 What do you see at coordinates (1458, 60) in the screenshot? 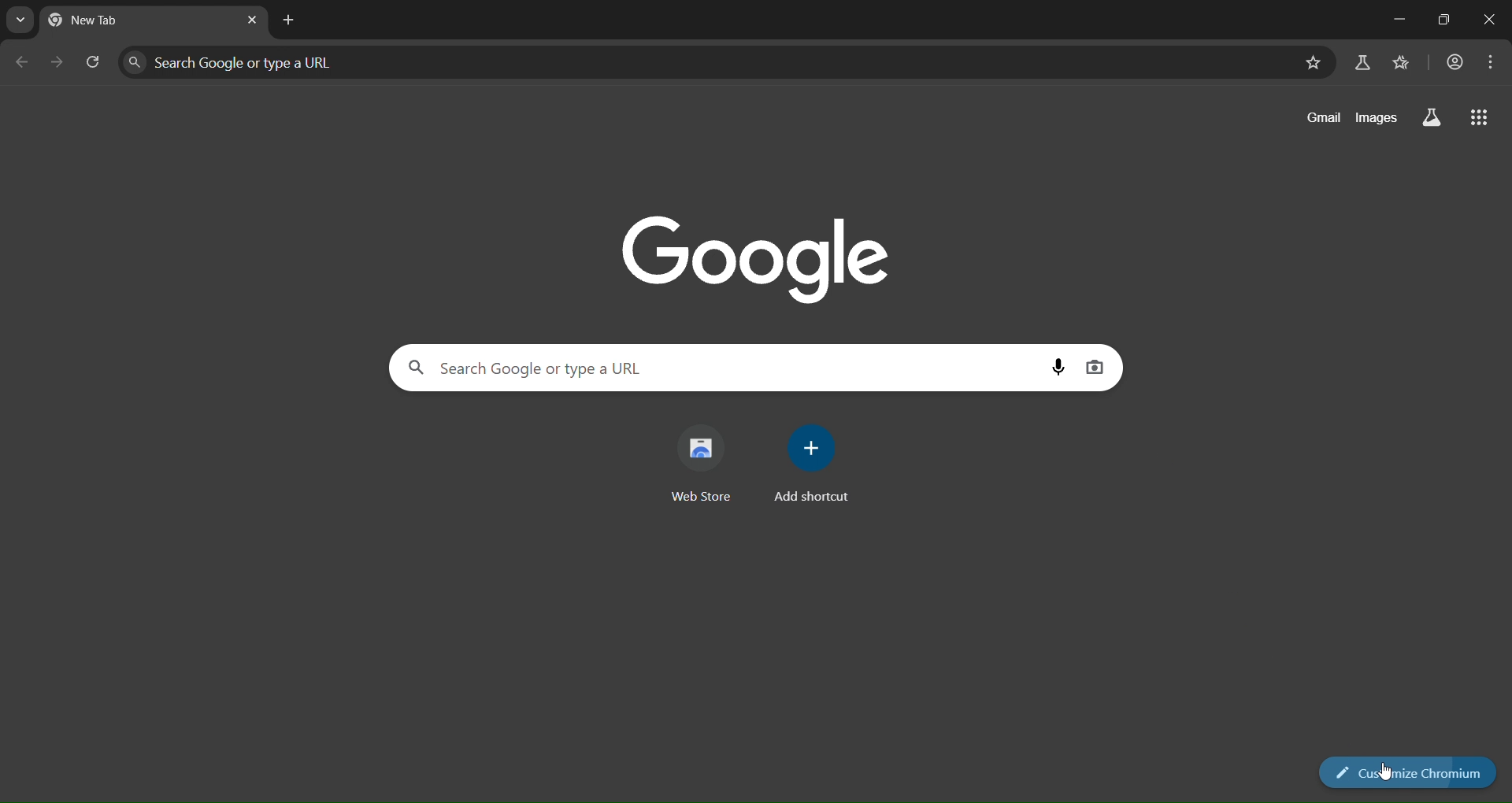
I see `accounr` at bounding box center [1458, 60].